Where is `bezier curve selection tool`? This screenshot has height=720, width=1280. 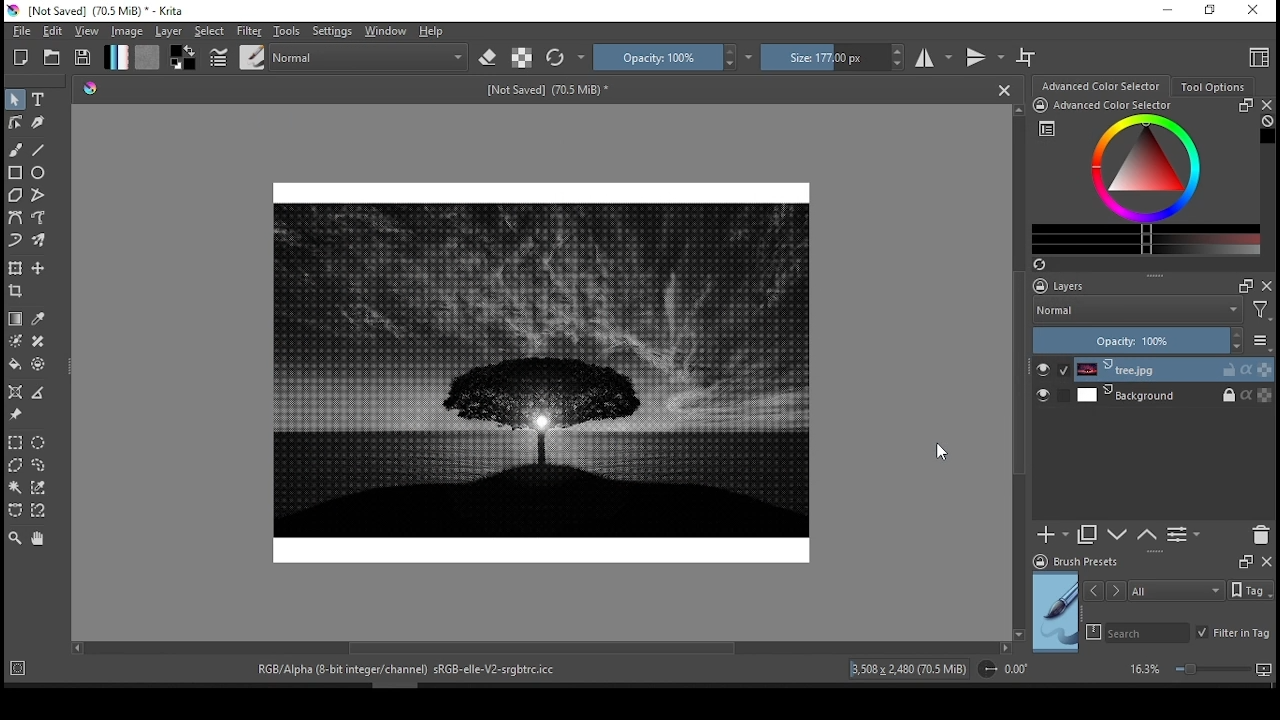 bezier curve selection tool is located at coordinates (17, 511).